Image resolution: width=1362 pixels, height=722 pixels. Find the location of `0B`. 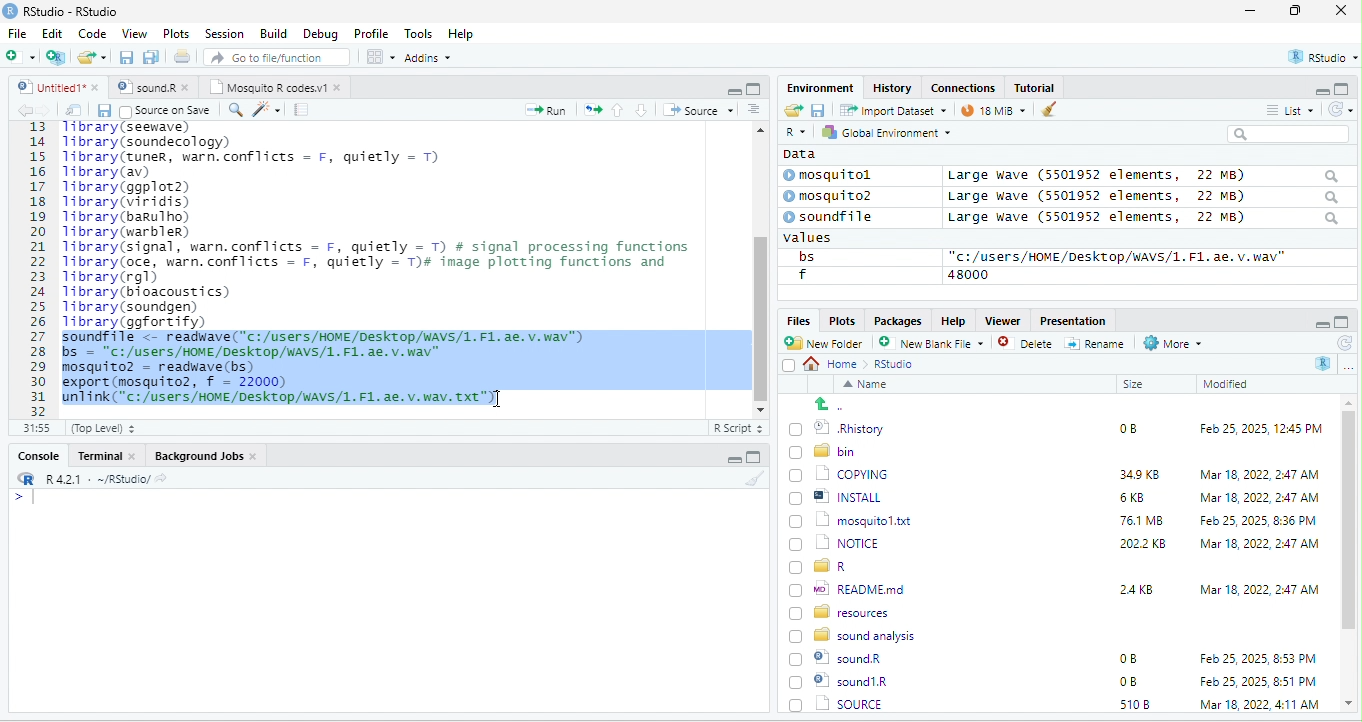

0B is located at coordinates (1121, 426).